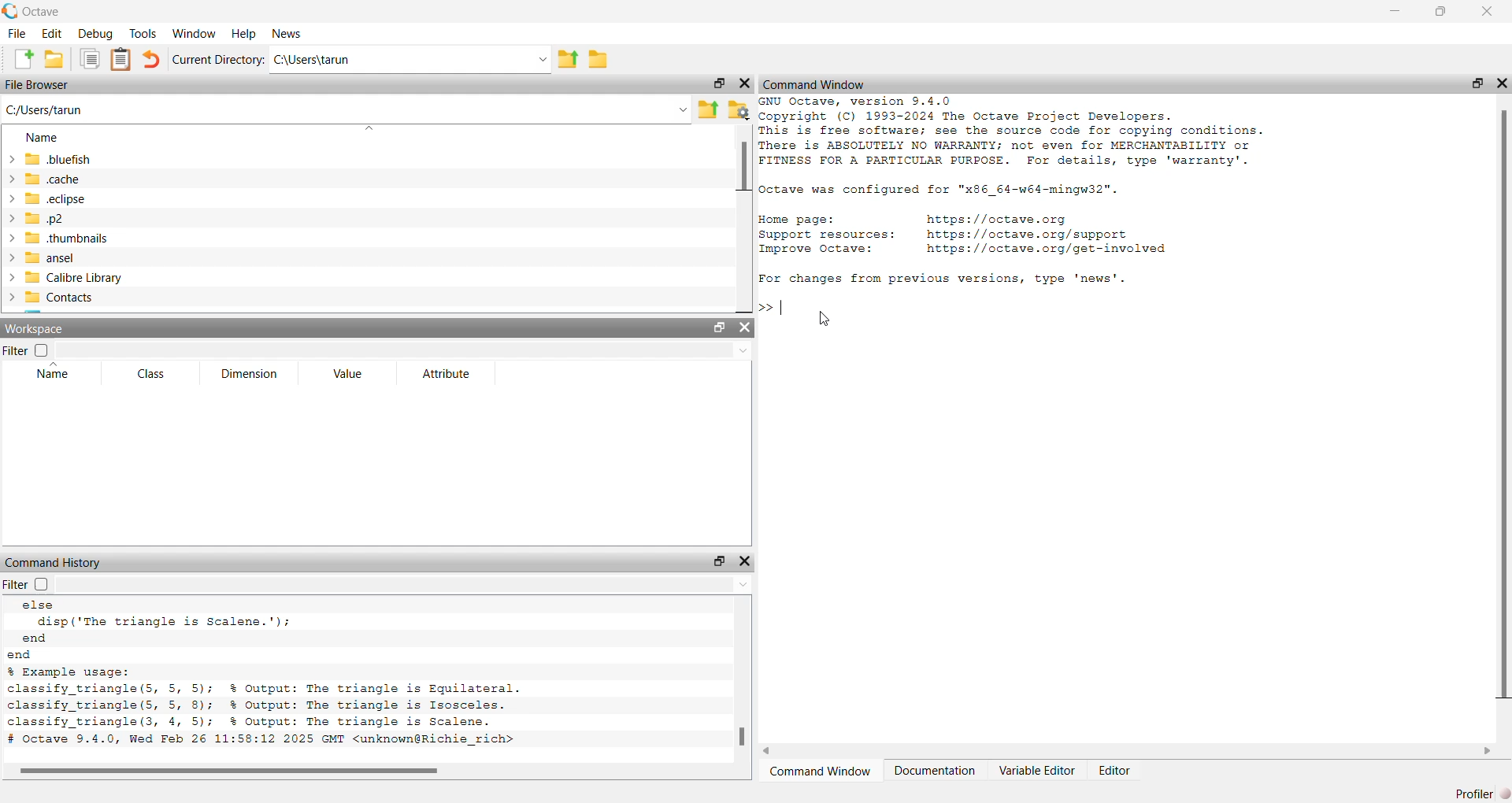 This screenshot has width=1512, height=803. I want to click on editor, so click(1115, 771).